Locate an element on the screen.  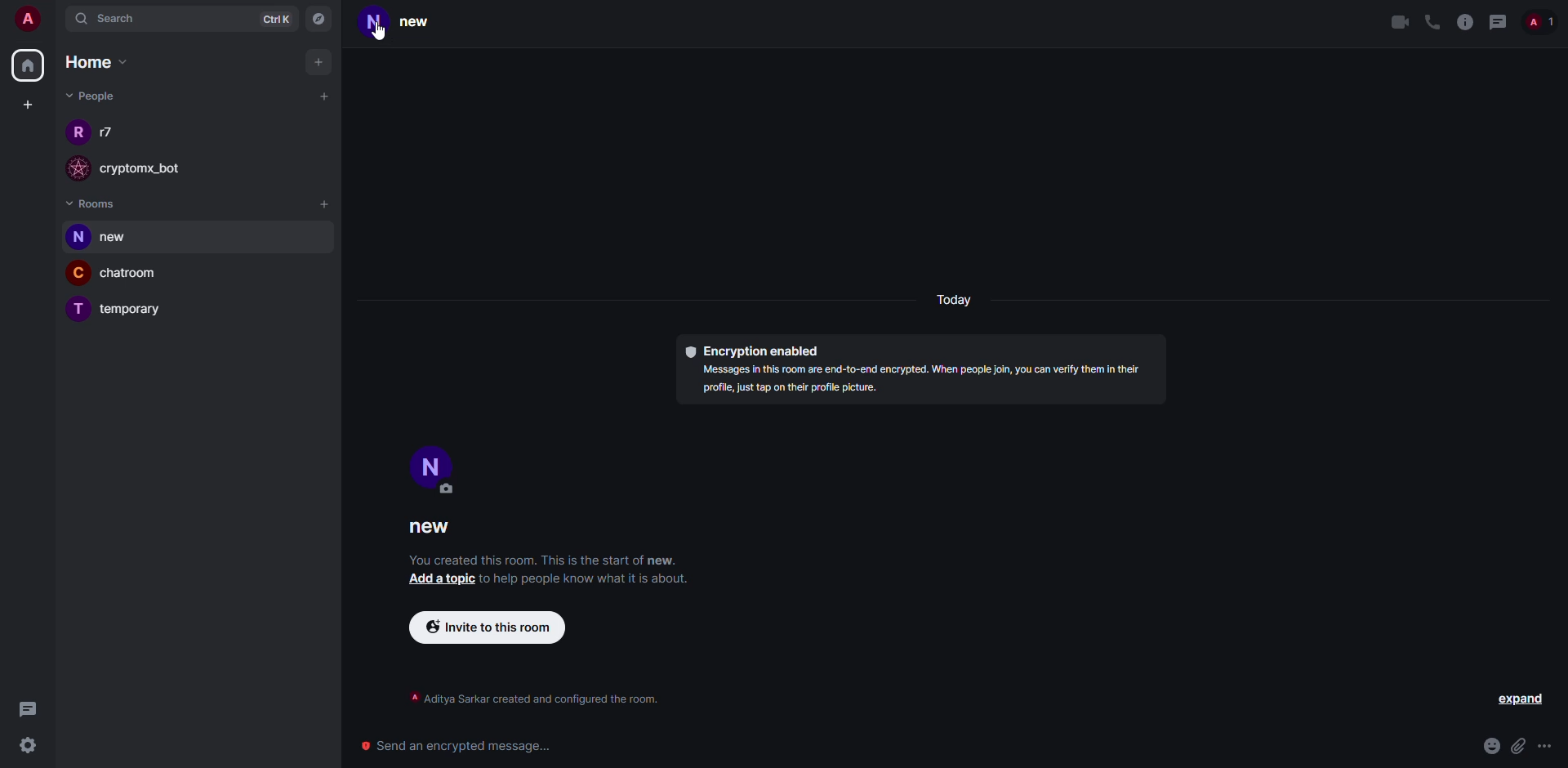
video call is located at coordinates (1398, 22).